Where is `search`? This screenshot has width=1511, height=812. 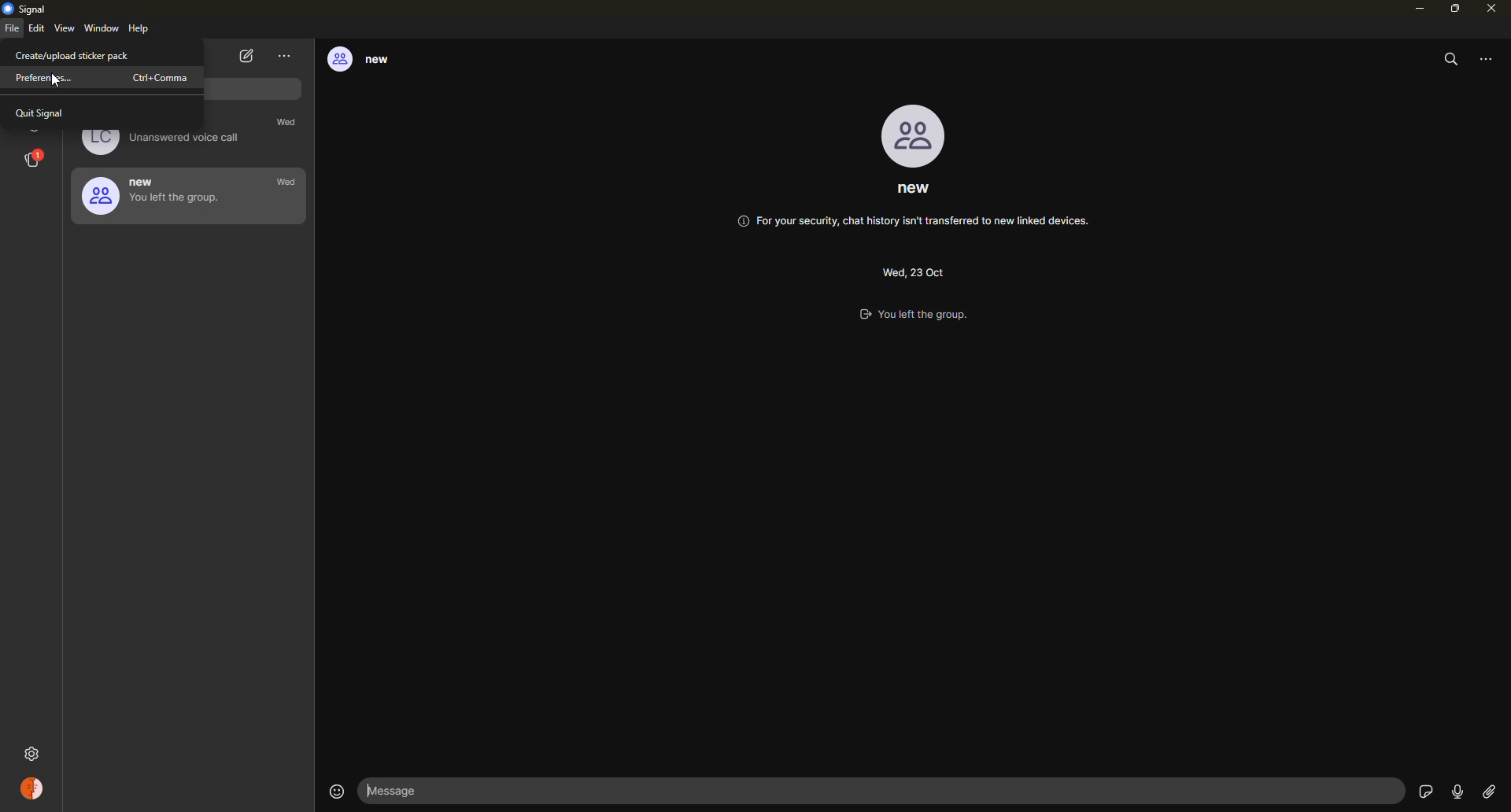 search is located at coordinates (1453, 59).